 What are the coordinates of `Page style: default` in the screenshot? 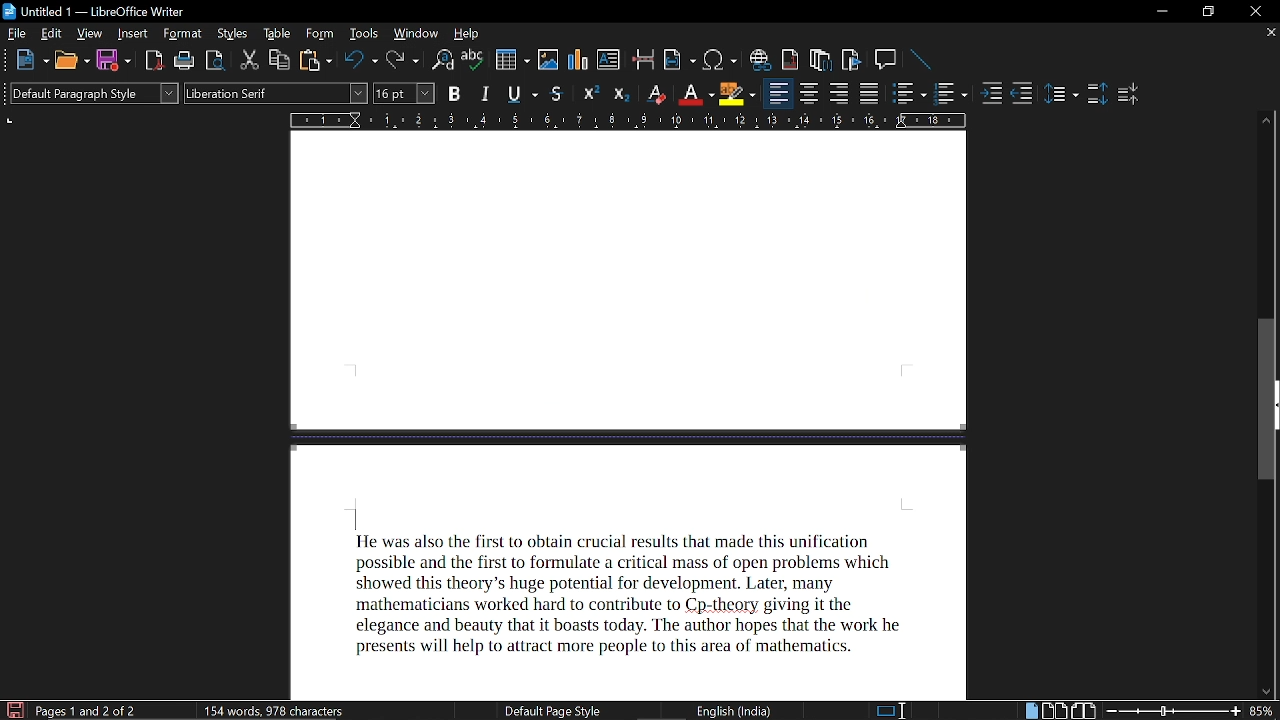 It's located at (544, 710).